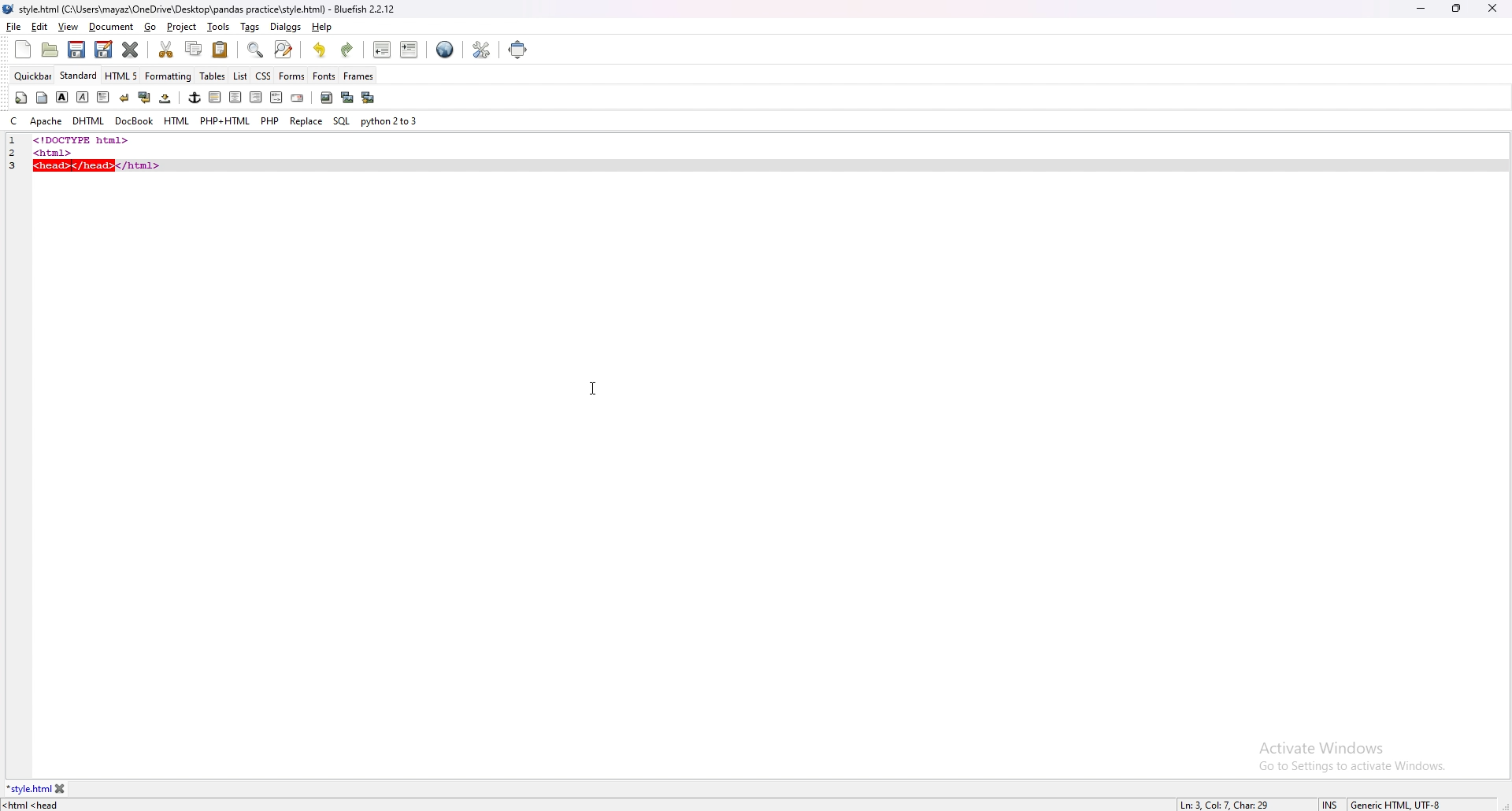  I want to click on find bar, so click(256, 50).